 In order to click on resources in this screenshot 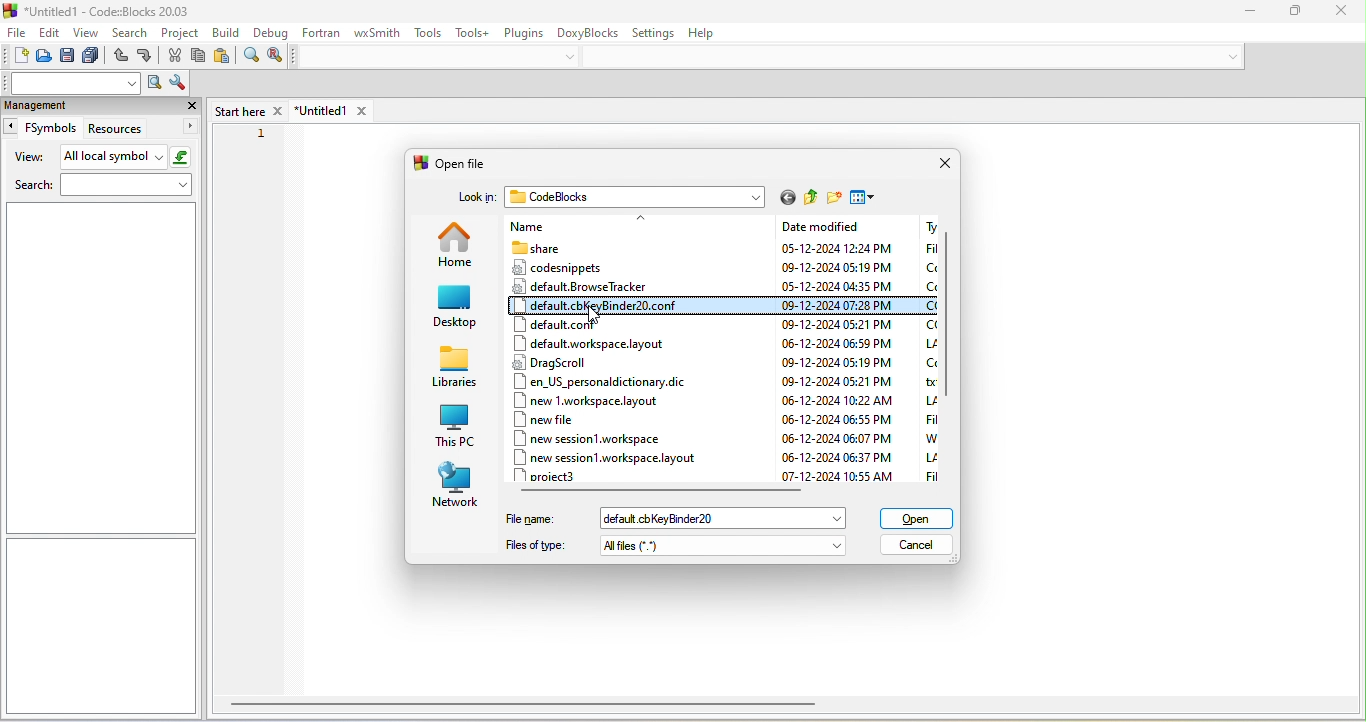, I will do `click(141, 129)`.